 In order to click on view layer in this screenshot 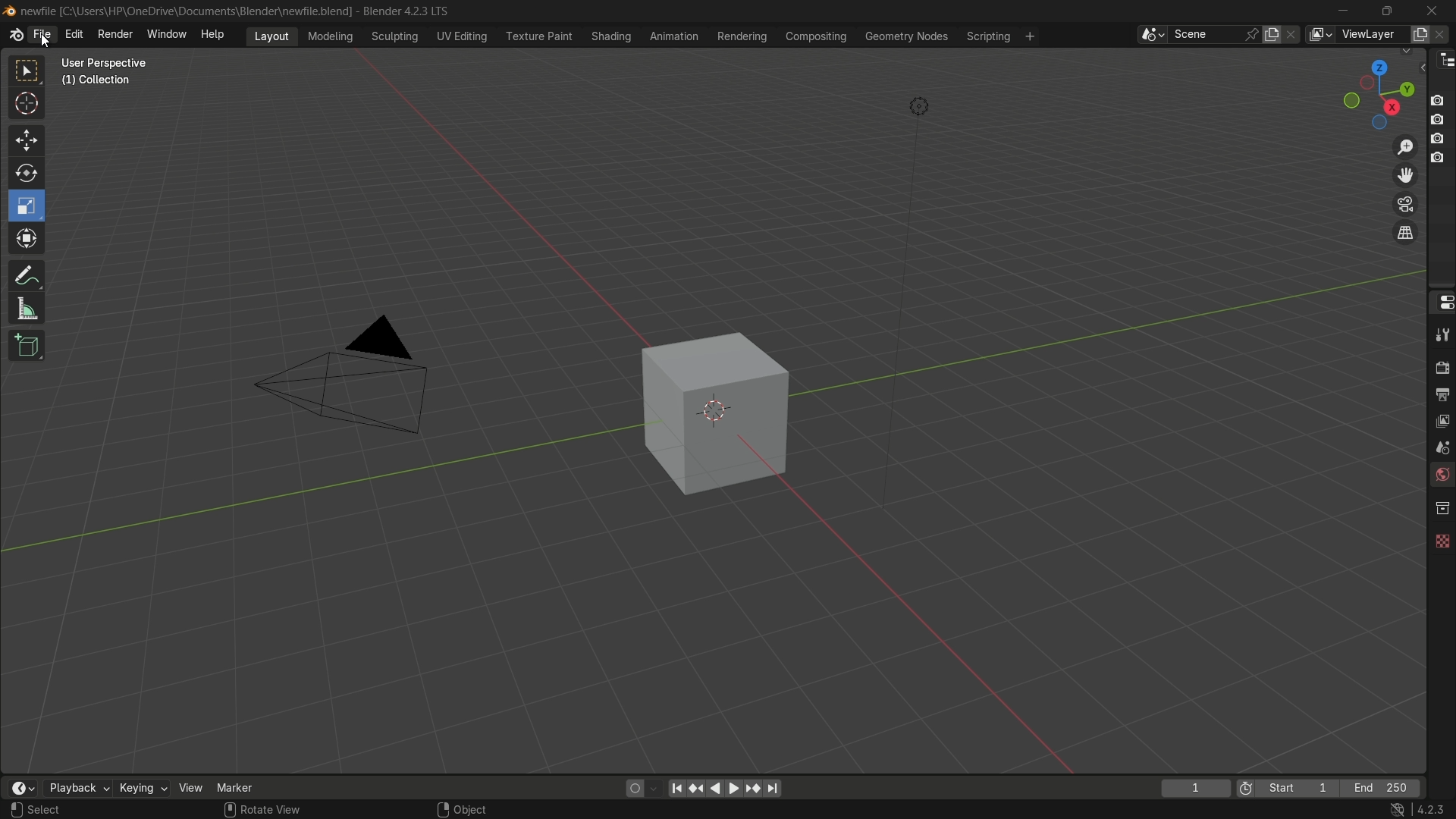, I will do `click(1319, 34)`.